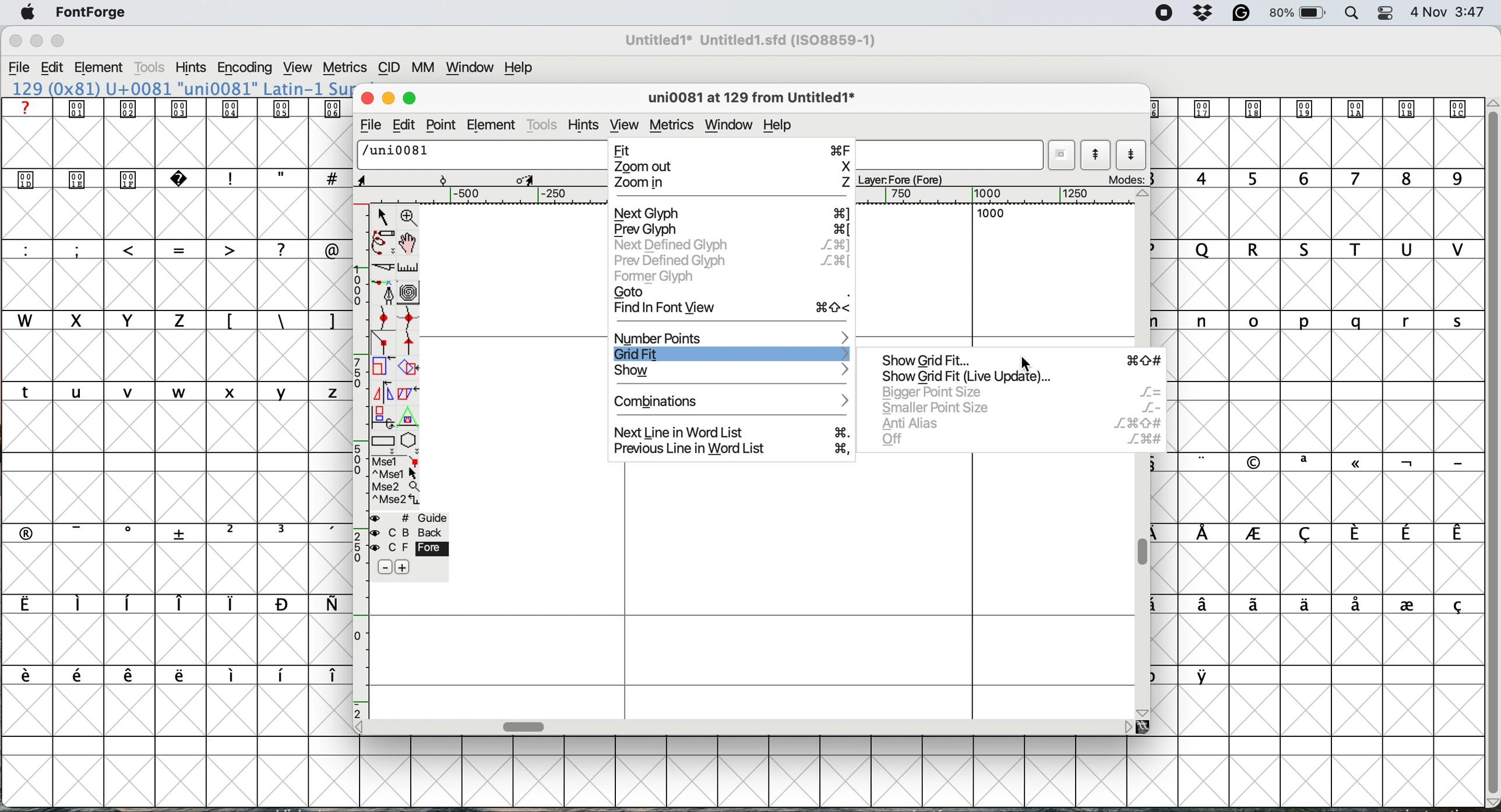 The image size is (1501, 812). What do you see at coordinates (380, 179) in the screenshot?
I see `cursor position` at bounding box center [380, 179].